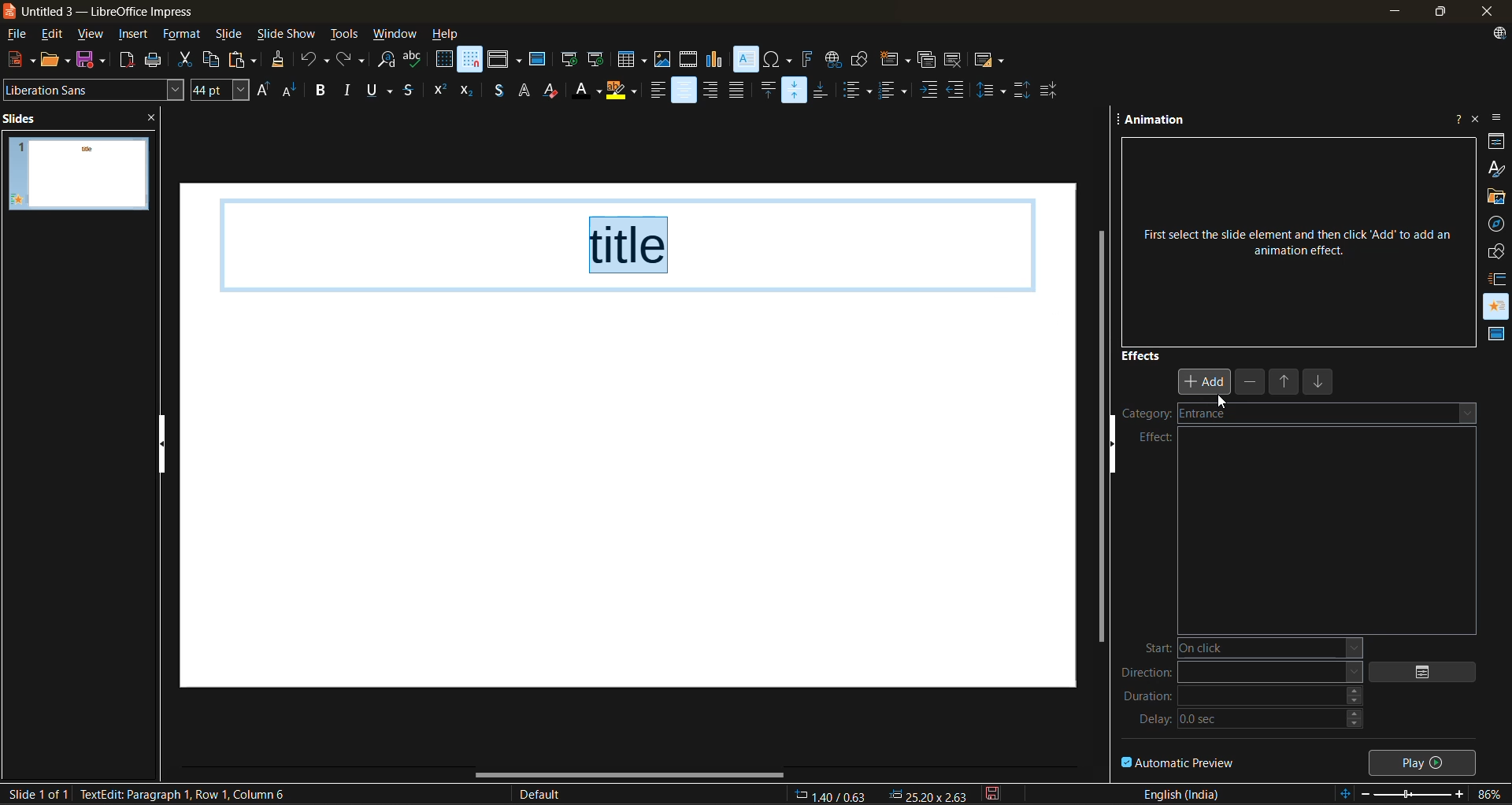  What do you see at coordinates (684, 91) in the screenshot?
I see `align center` at bounding box center [684, 91].